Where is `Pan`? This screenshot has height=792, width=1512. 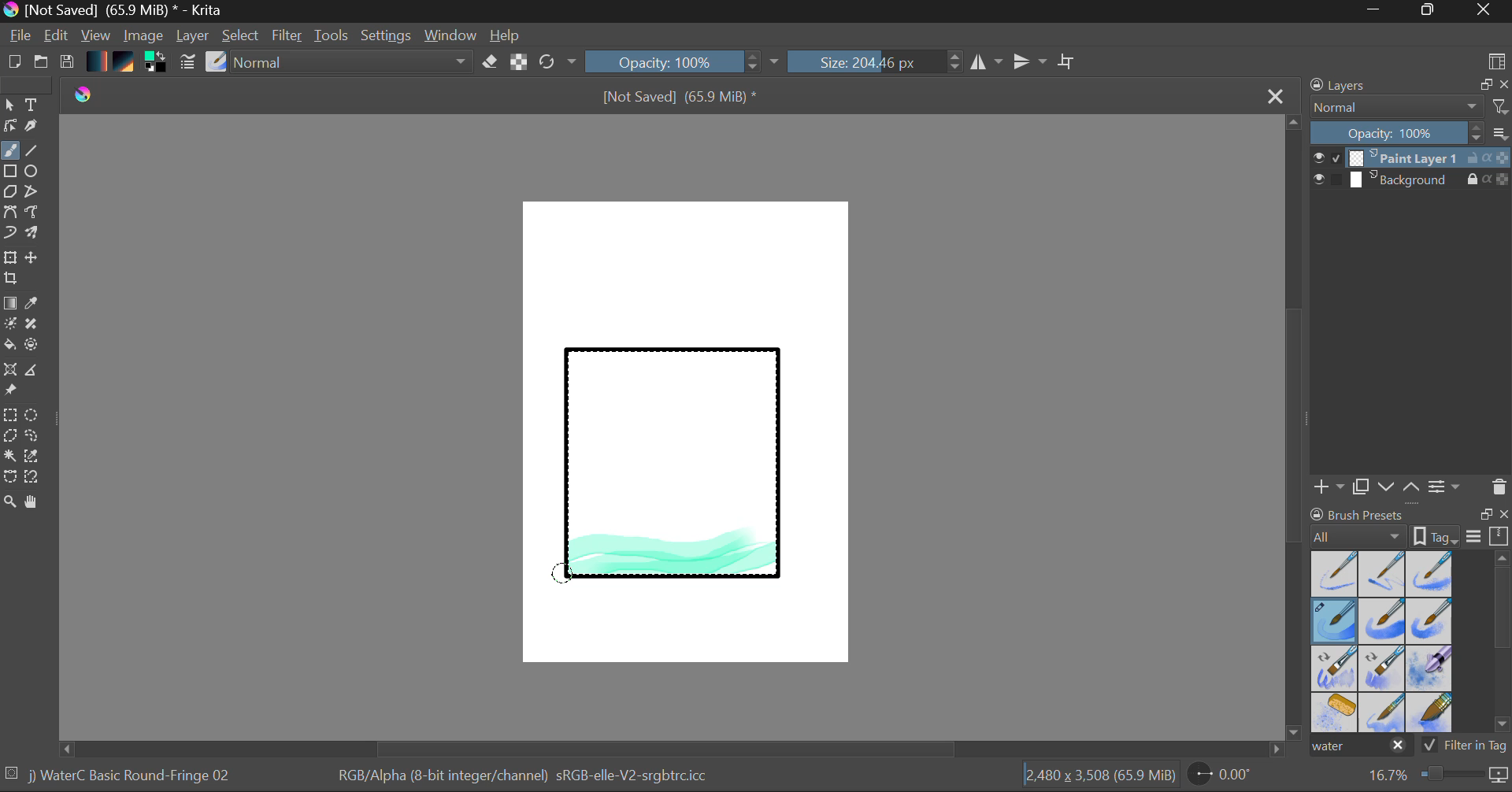
Pan is located at coordinates (37, 505).